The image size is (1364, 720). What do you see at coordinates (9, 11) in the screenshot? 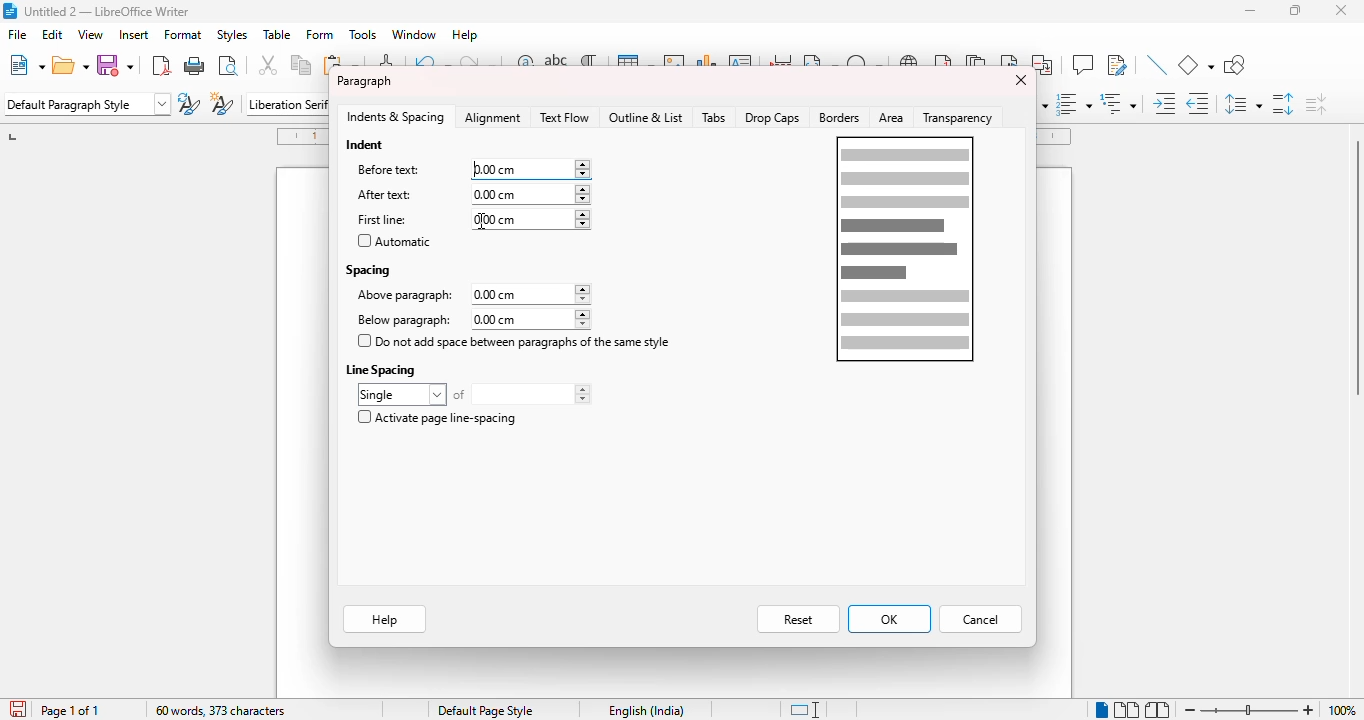
I see `logo` at bounding box center [9, 11].